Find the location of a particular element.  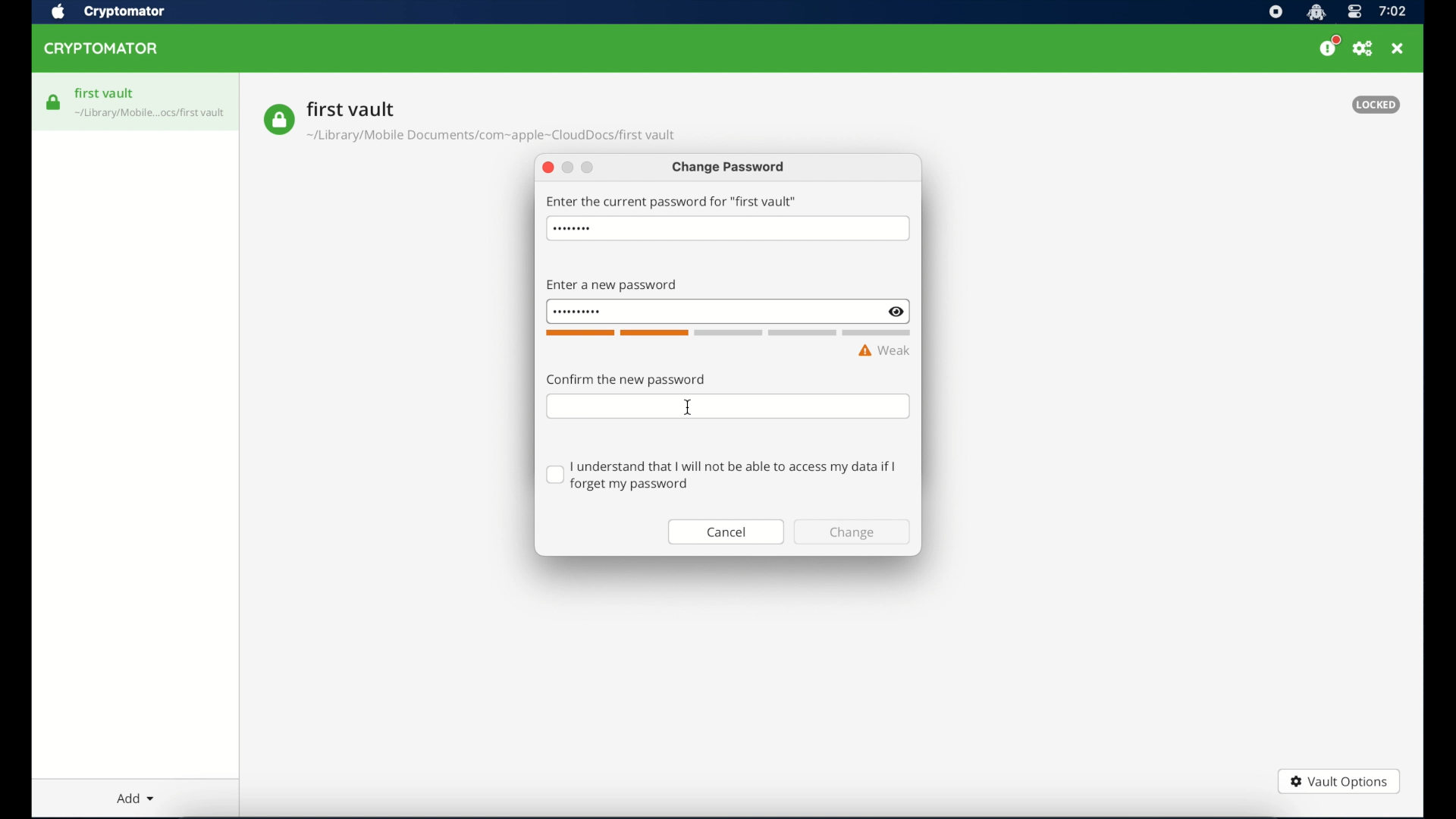

change password is located at coordinates (730, 168).